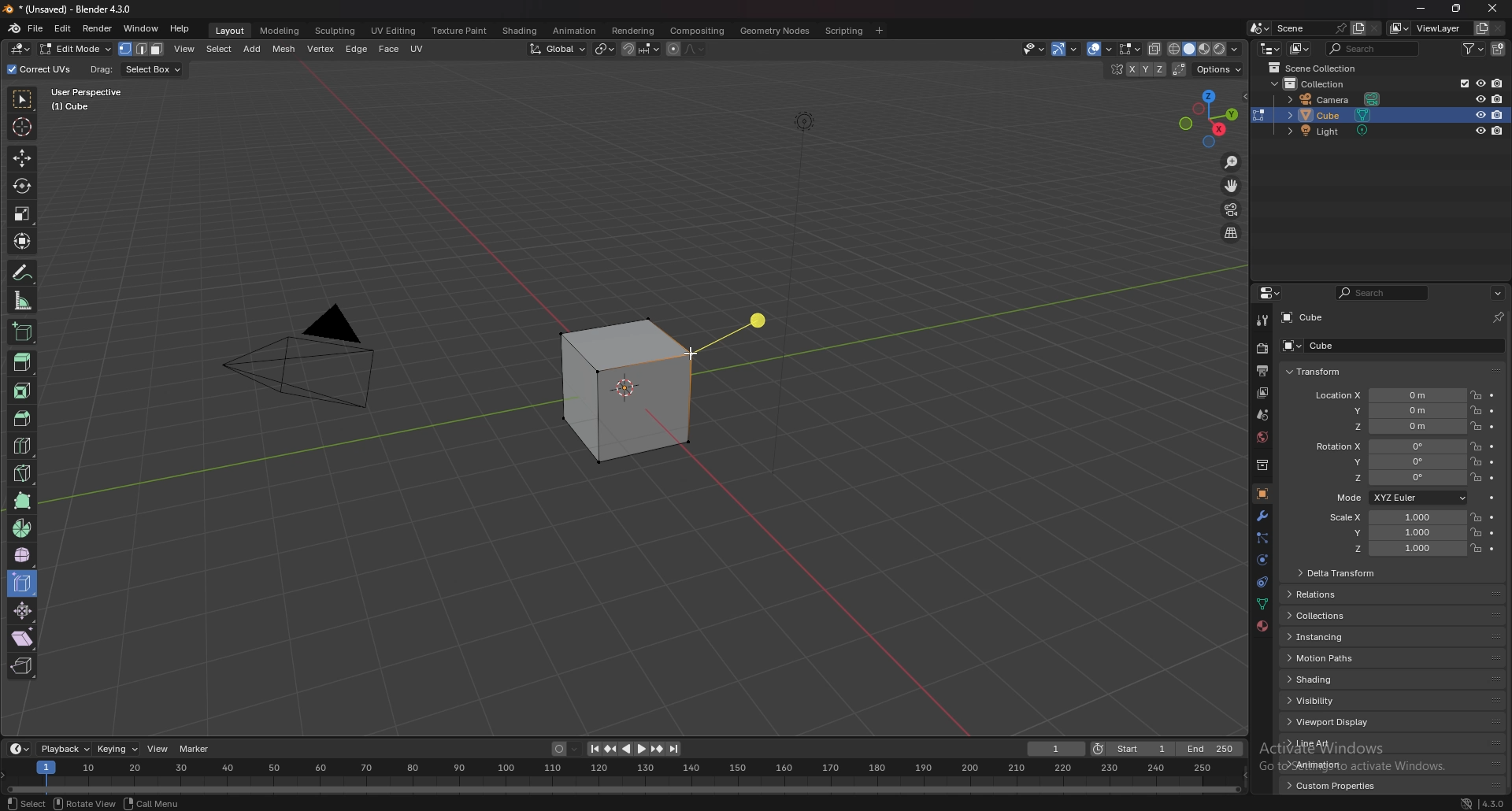 The height and width of the screenshot is (811, 1512). I want to click on transform pivot point, so click(605, 49).